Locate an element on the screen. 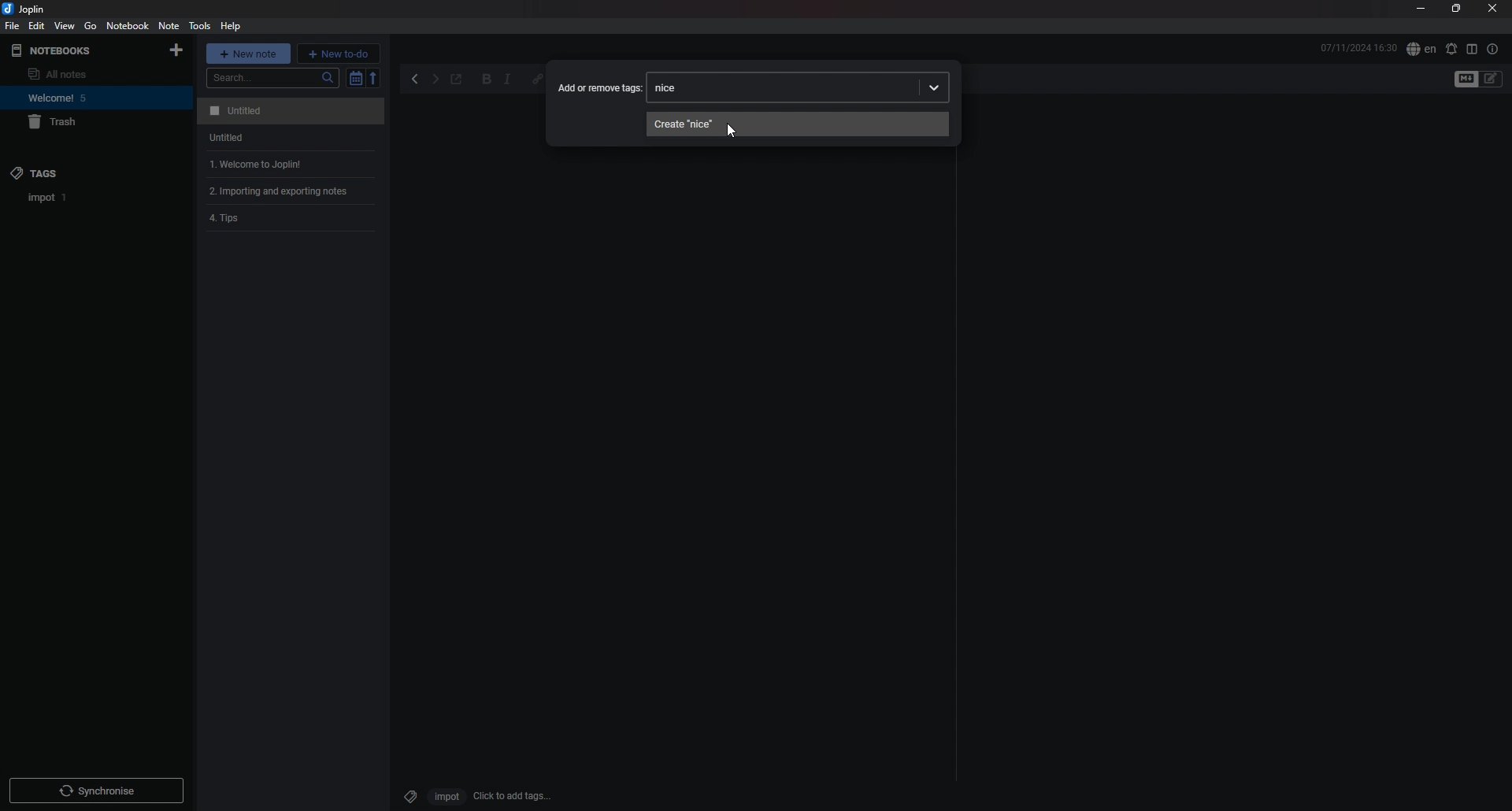 This screenshot has width=1512, height=811. tags is located at coordinates (76, 172).